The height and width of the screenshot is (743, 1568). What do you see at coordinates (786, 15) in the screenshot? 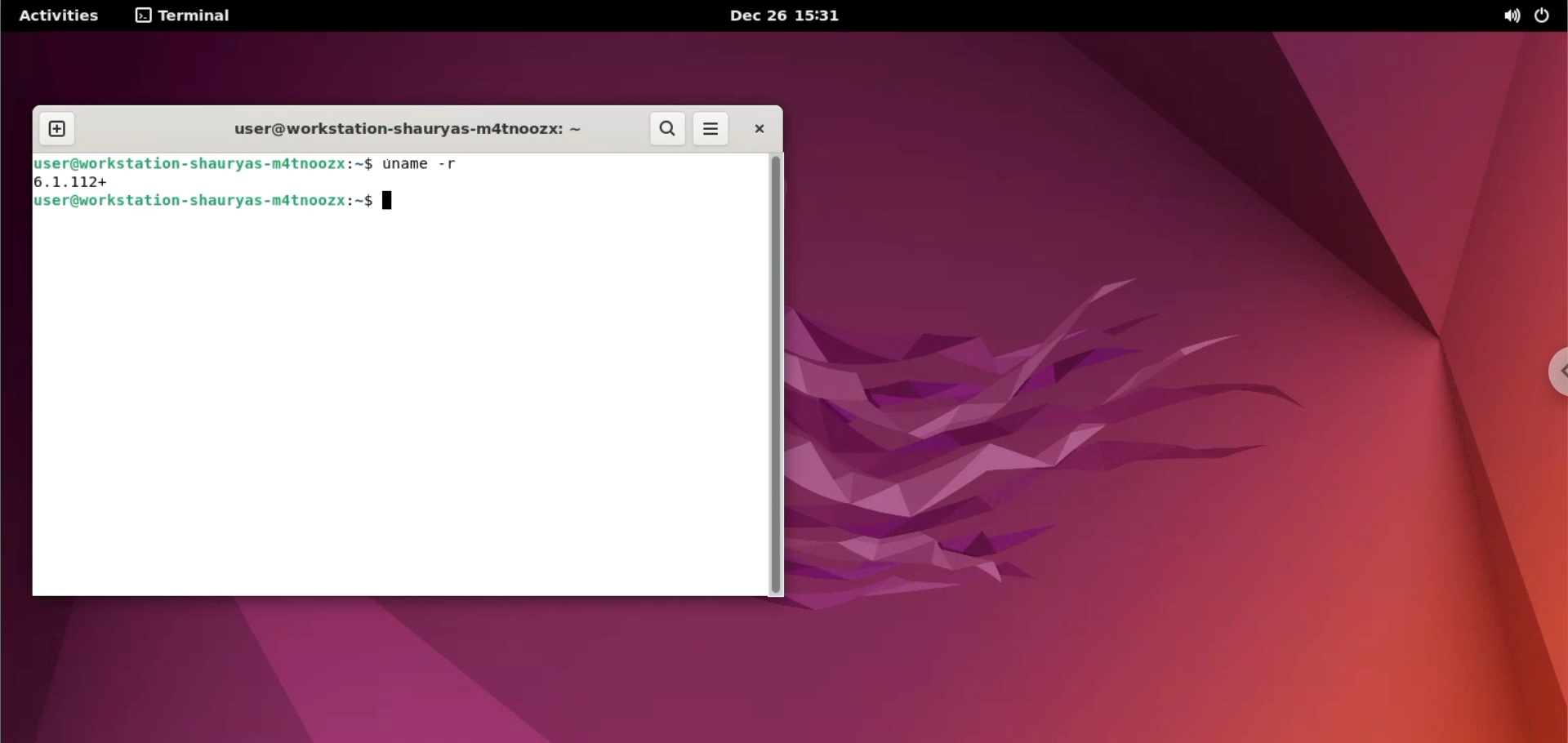
I see `Dec 26 15:31` at bounding box center [786, 15].